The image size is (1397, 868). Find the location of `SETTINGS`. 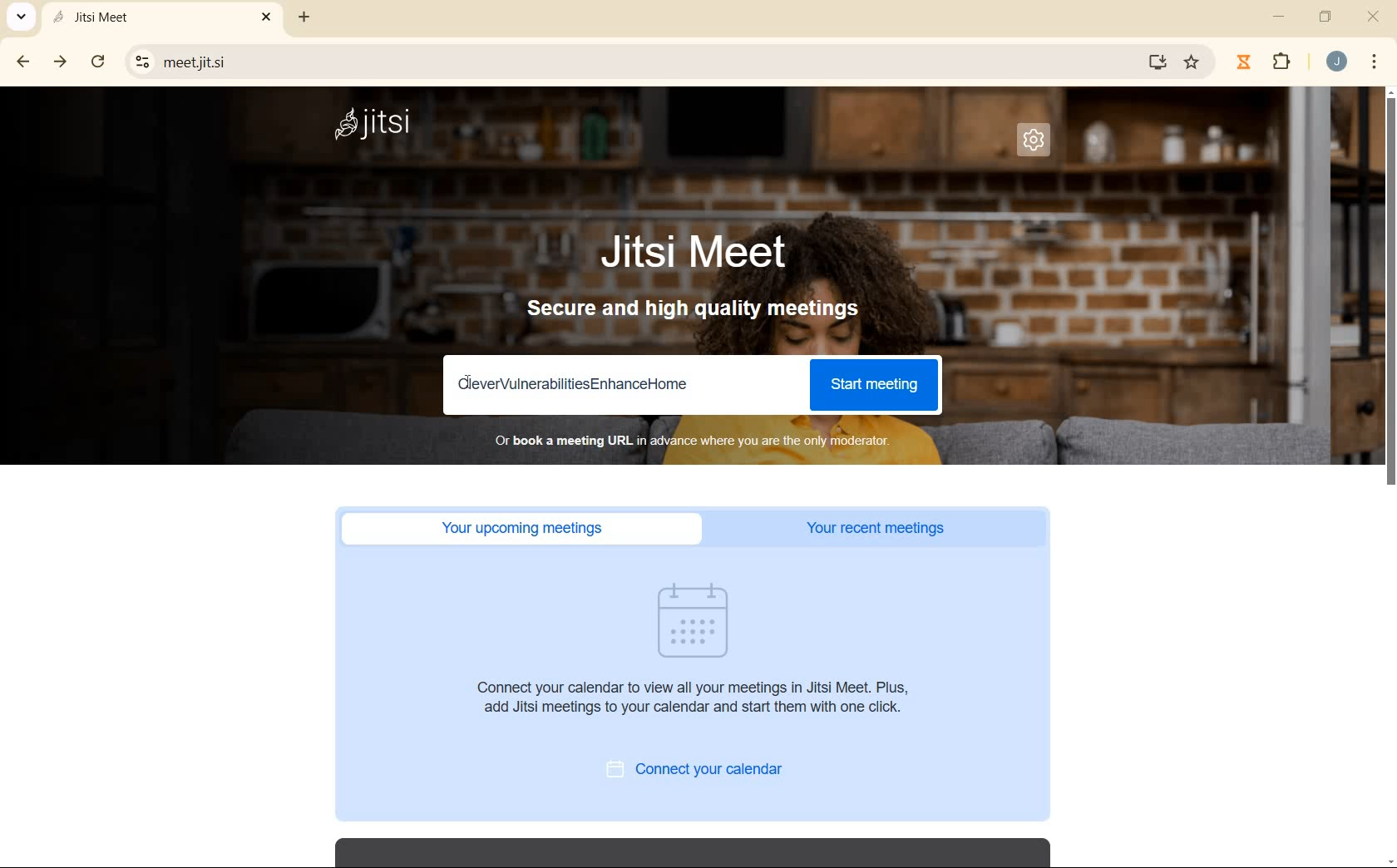

SETTINGS is located at coordinates (1041, 145).